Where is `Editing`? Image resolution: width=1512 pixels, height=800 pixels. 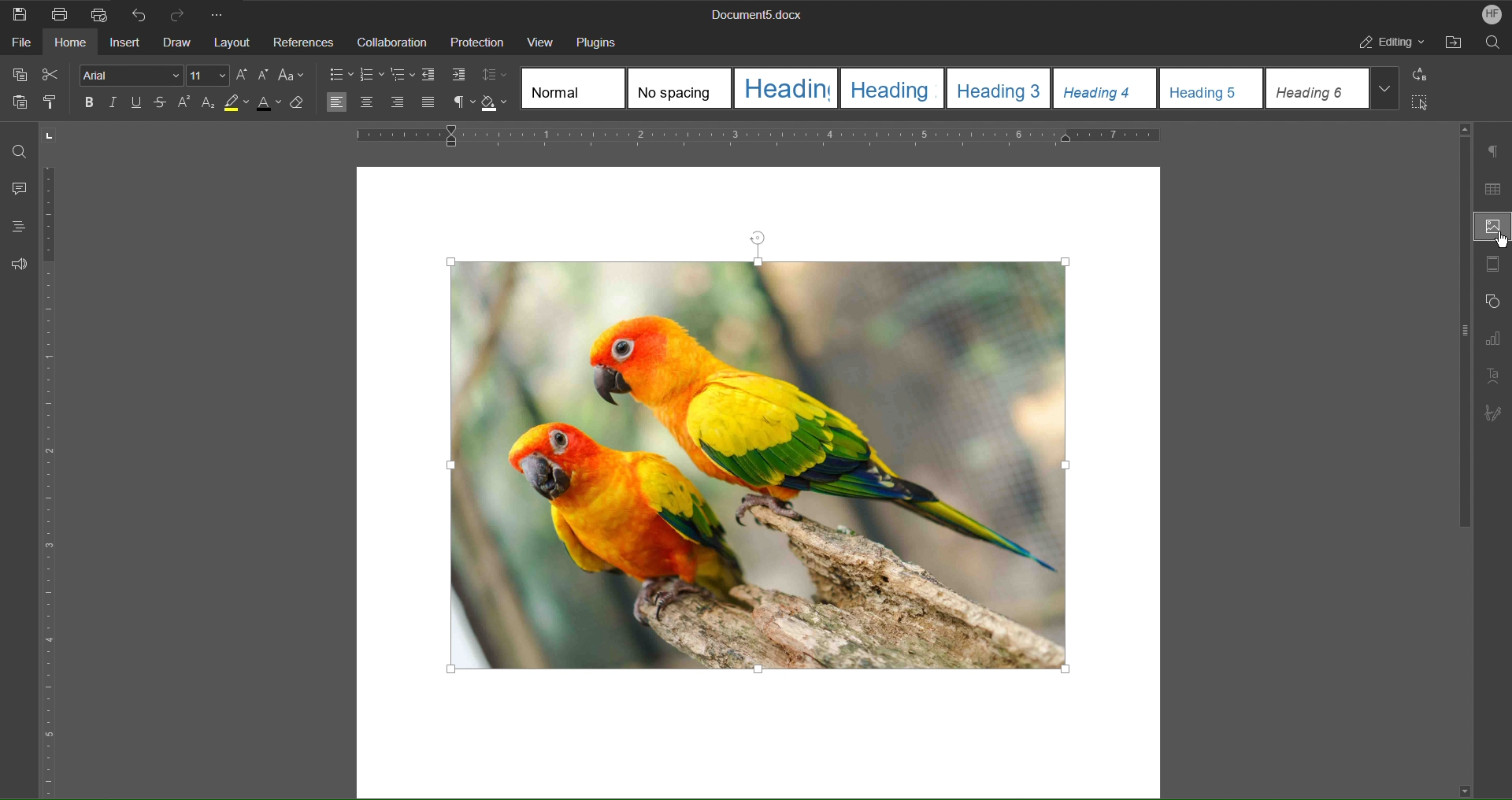 Editing is located at coordinates (1393, 45).